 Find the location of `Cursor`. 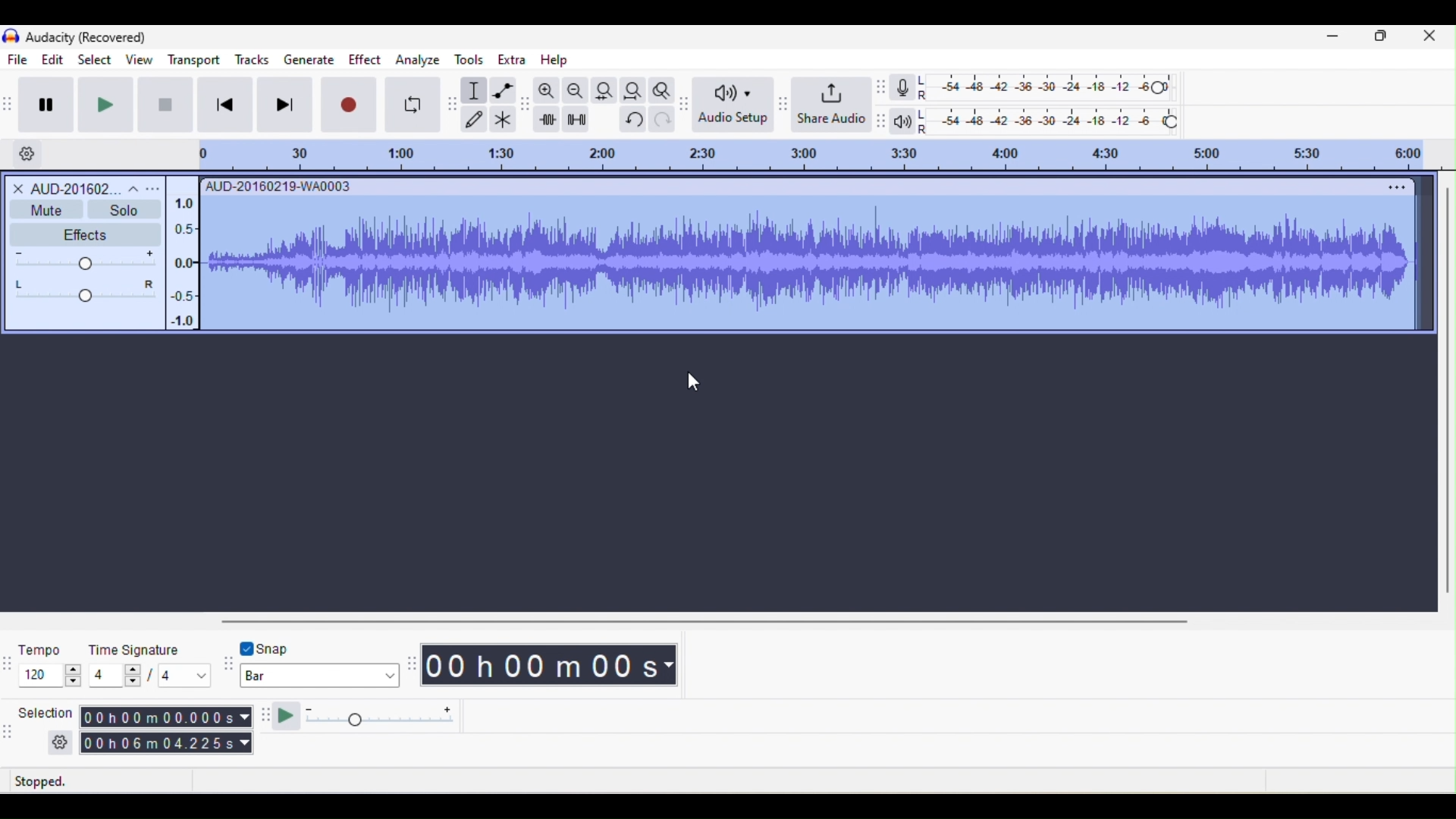

Cursor is located at coordinates (695, 384).